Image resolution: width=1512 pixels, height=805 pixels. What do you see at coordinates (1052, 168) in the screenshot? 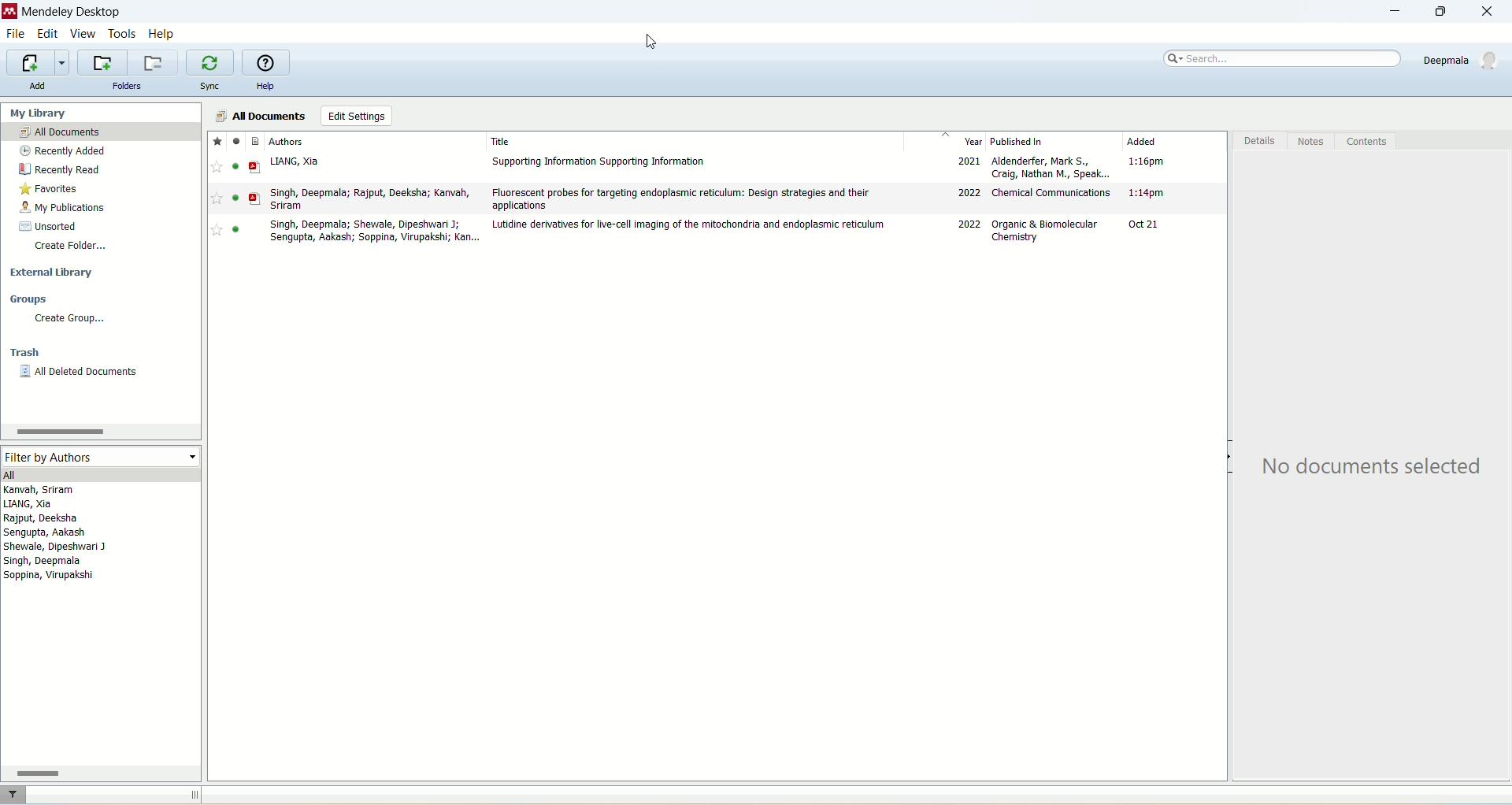
I see `Aldenderfer, Mark S; Craig, Nathan M., Speak...` at bounding box center [1052, 168].